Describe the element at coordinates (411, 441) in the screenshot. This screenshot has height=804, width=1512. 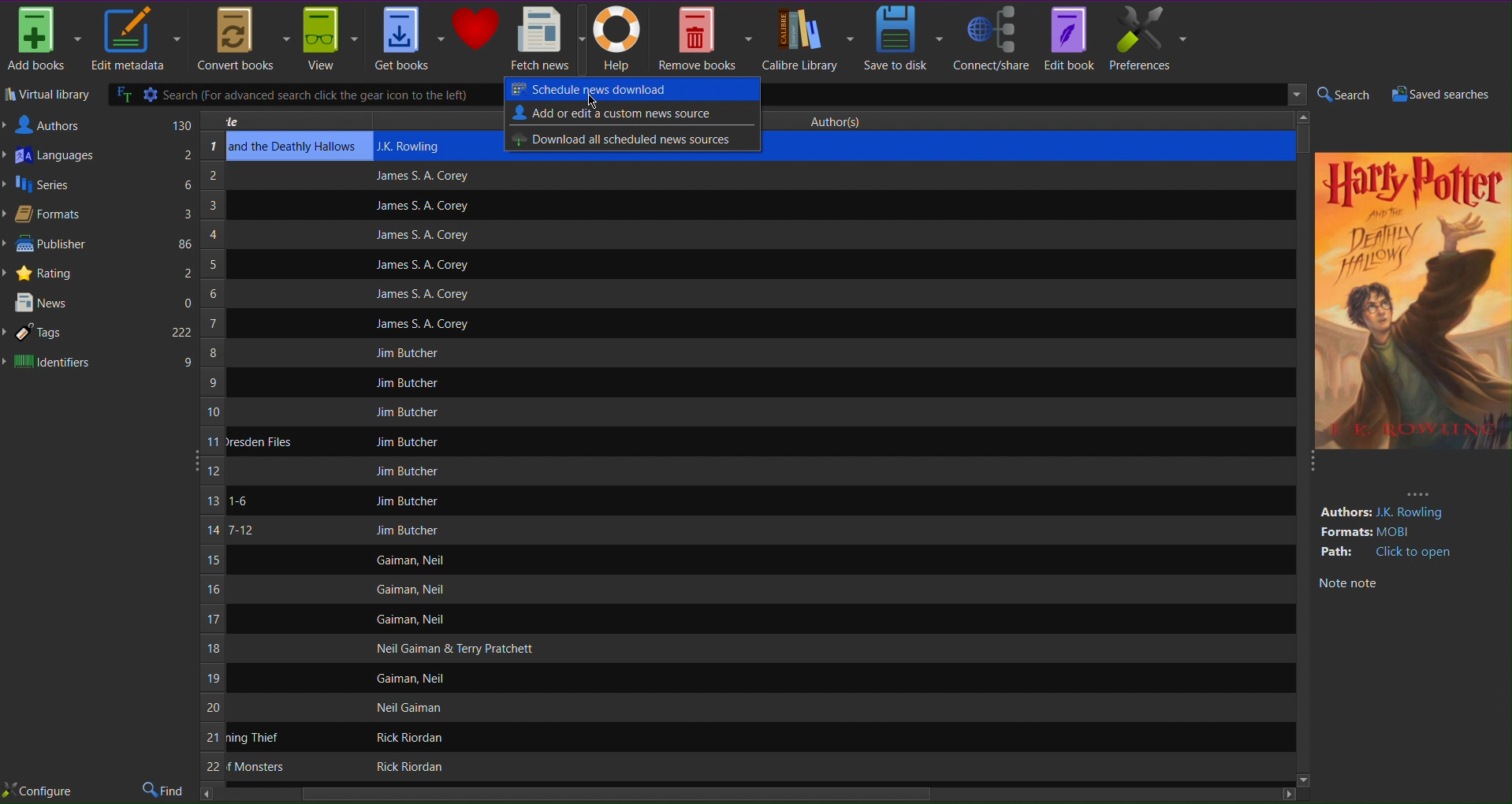
I see `Jim Butcher` at that location.